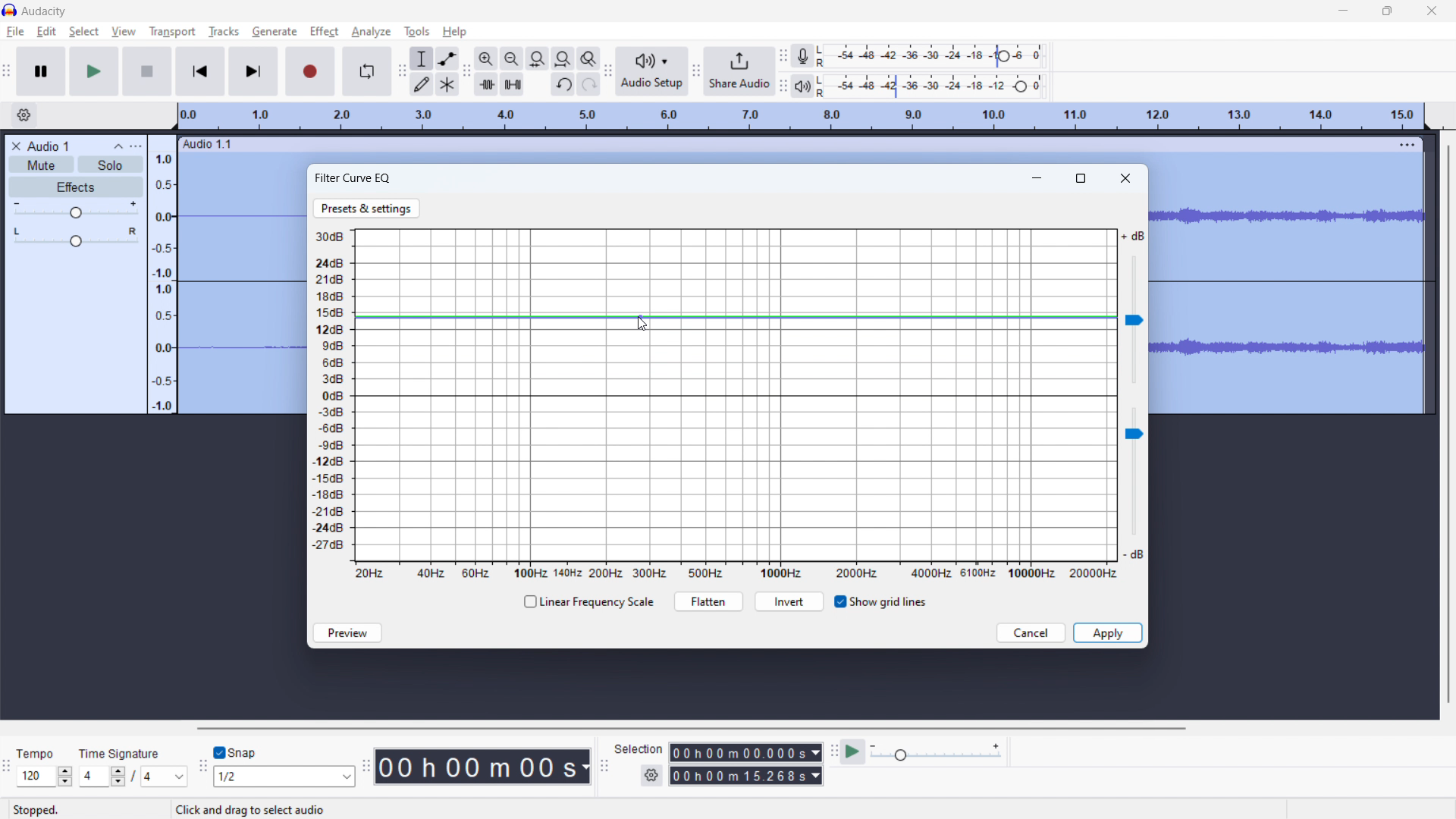 This screenshot has height=819, width=1456. What do you see at coordinates (44, 754) in the screenshot?
I see `Tempo` at bounding box center [44, 754].